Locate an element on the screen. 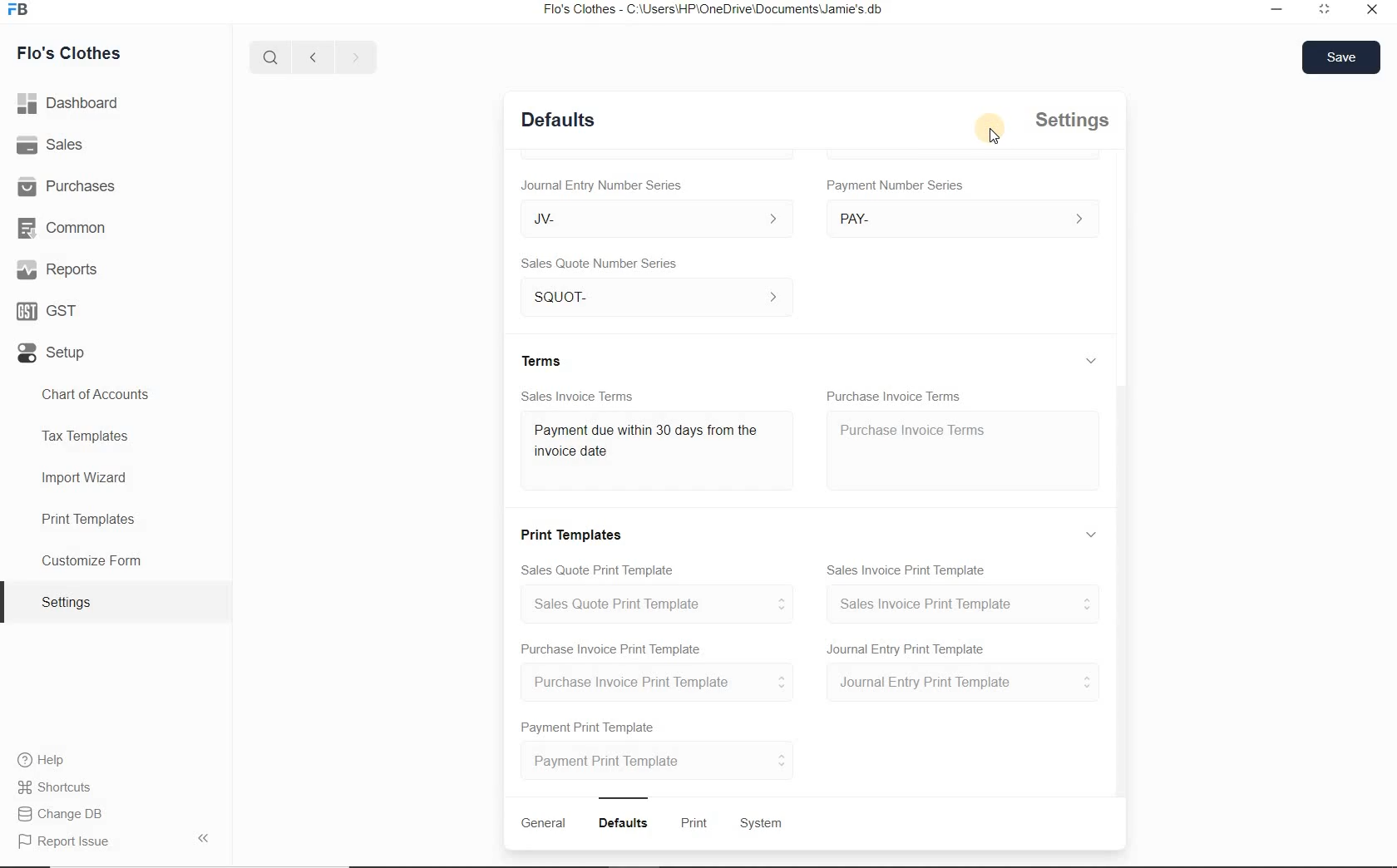 This screenshot has height=868, width=1397. Print Templates is located at coordinates (116, 518).